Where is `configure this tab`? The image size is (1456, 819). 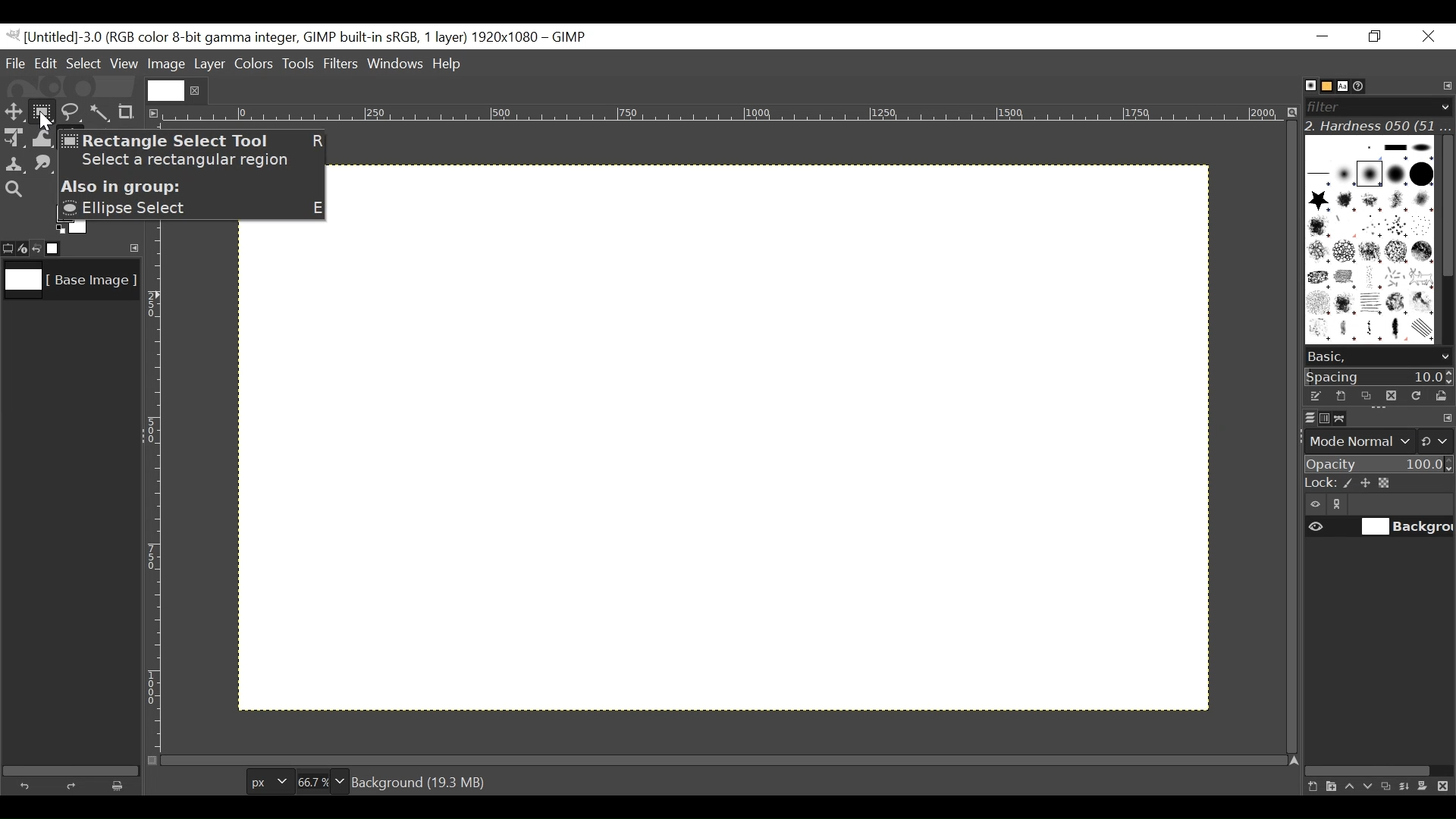 configure this tab is located at coordinates (1447, 419).